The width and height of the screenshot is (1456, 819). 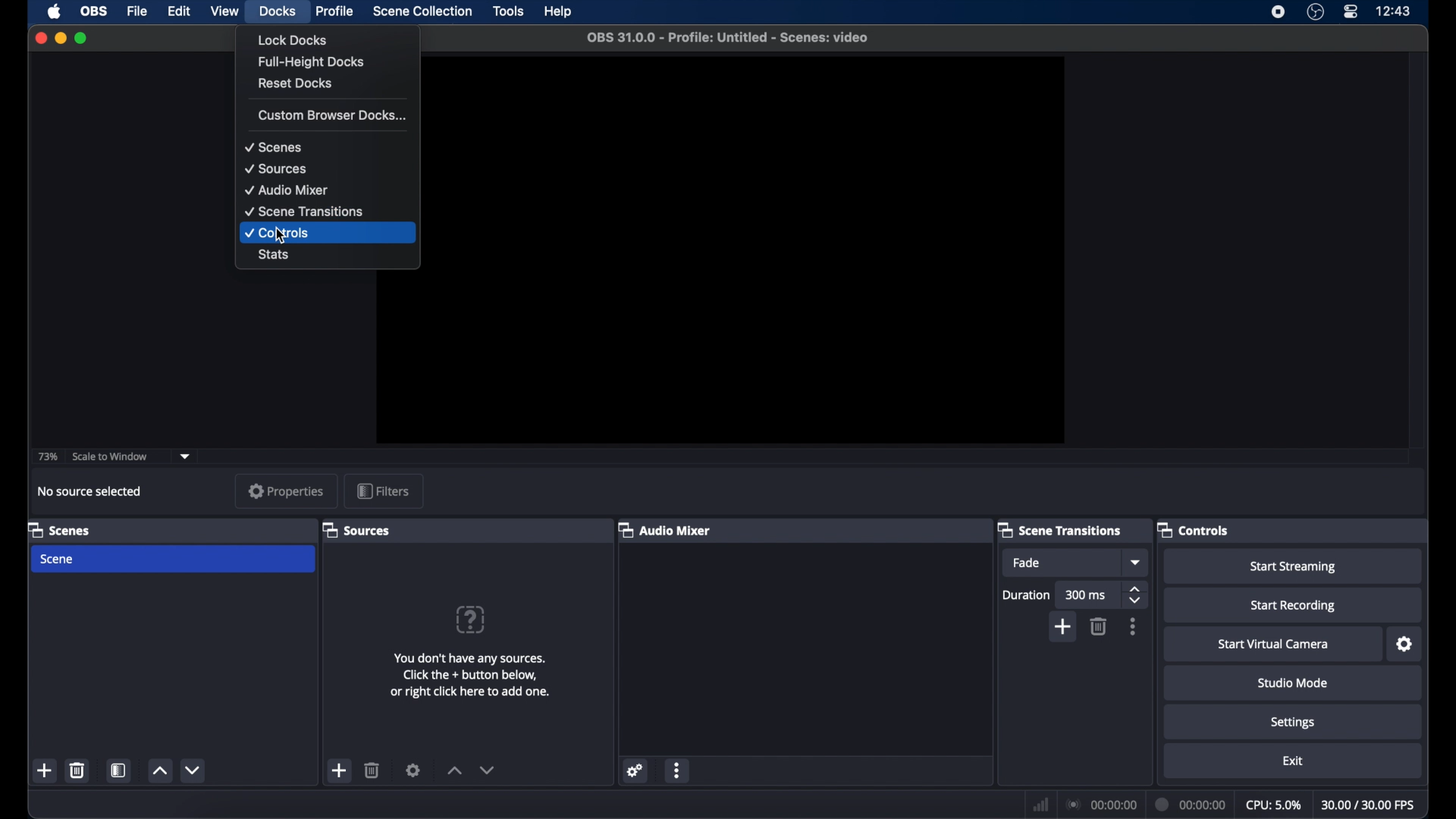 I want to click on obs, so click(x=93, y=11).